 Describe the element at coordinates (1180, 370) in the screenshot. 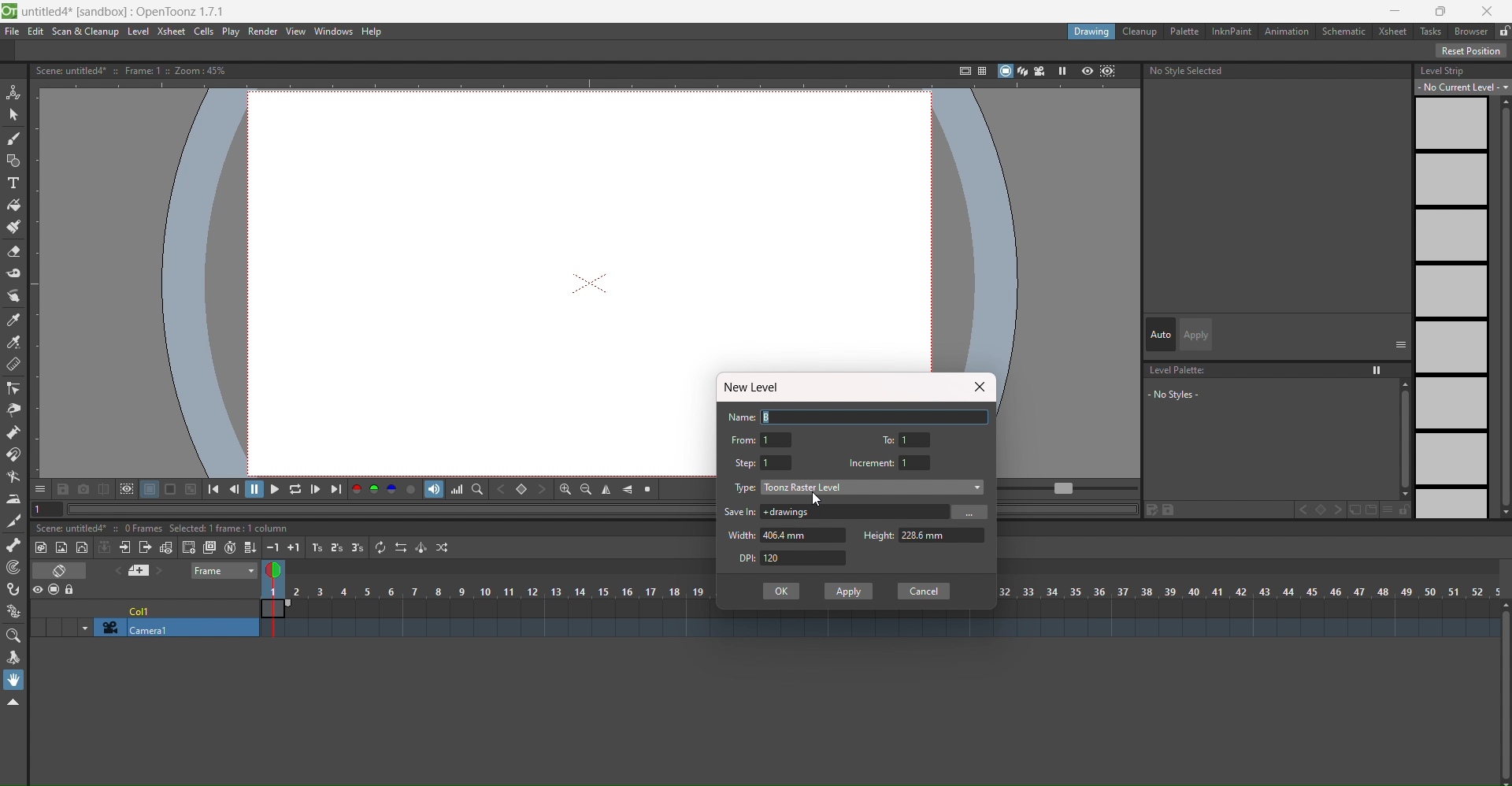

I see `level palette` at that location.